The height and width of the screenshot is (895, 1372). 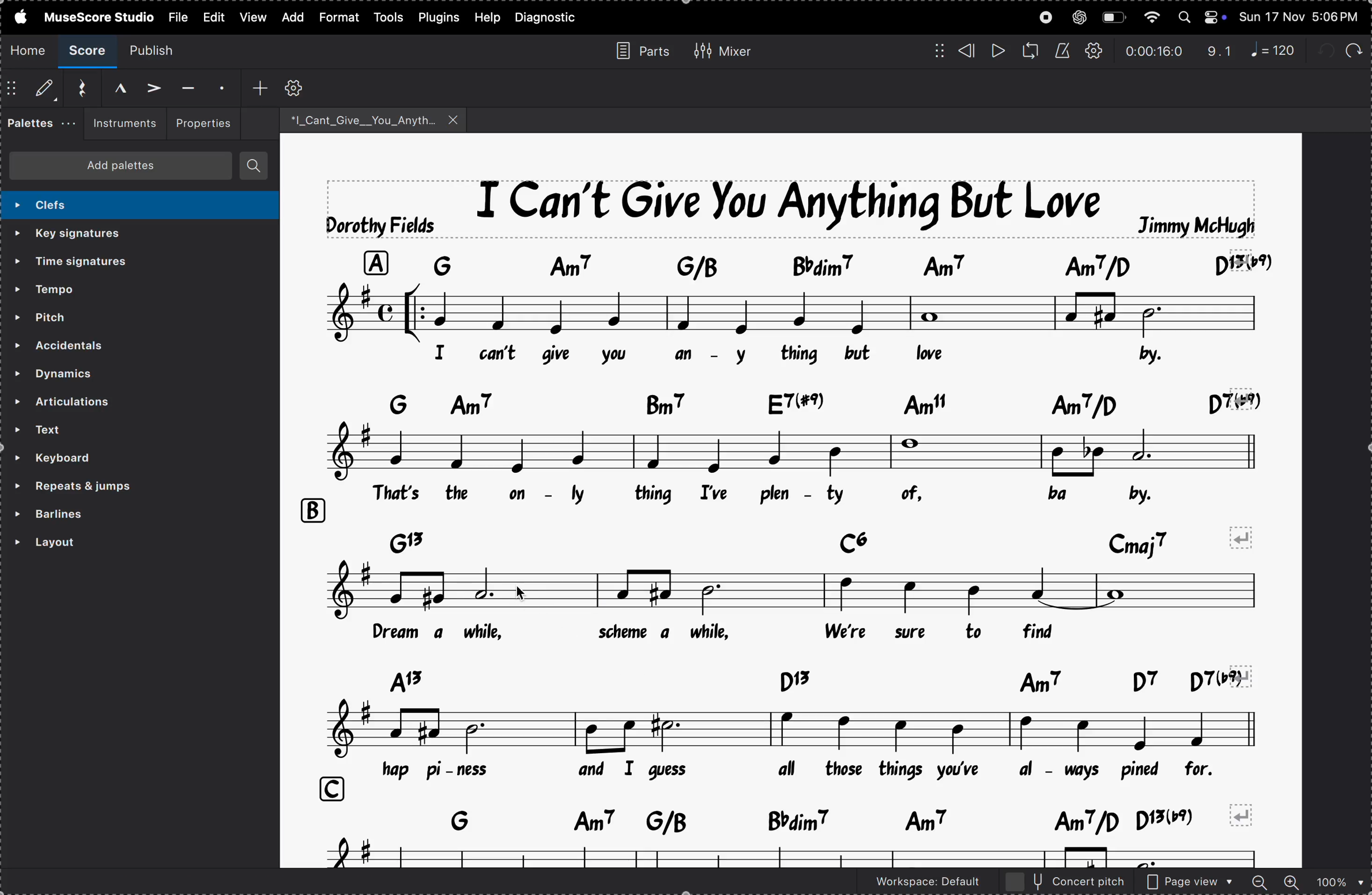 I want to click on properties, so click(x=202, y=122).